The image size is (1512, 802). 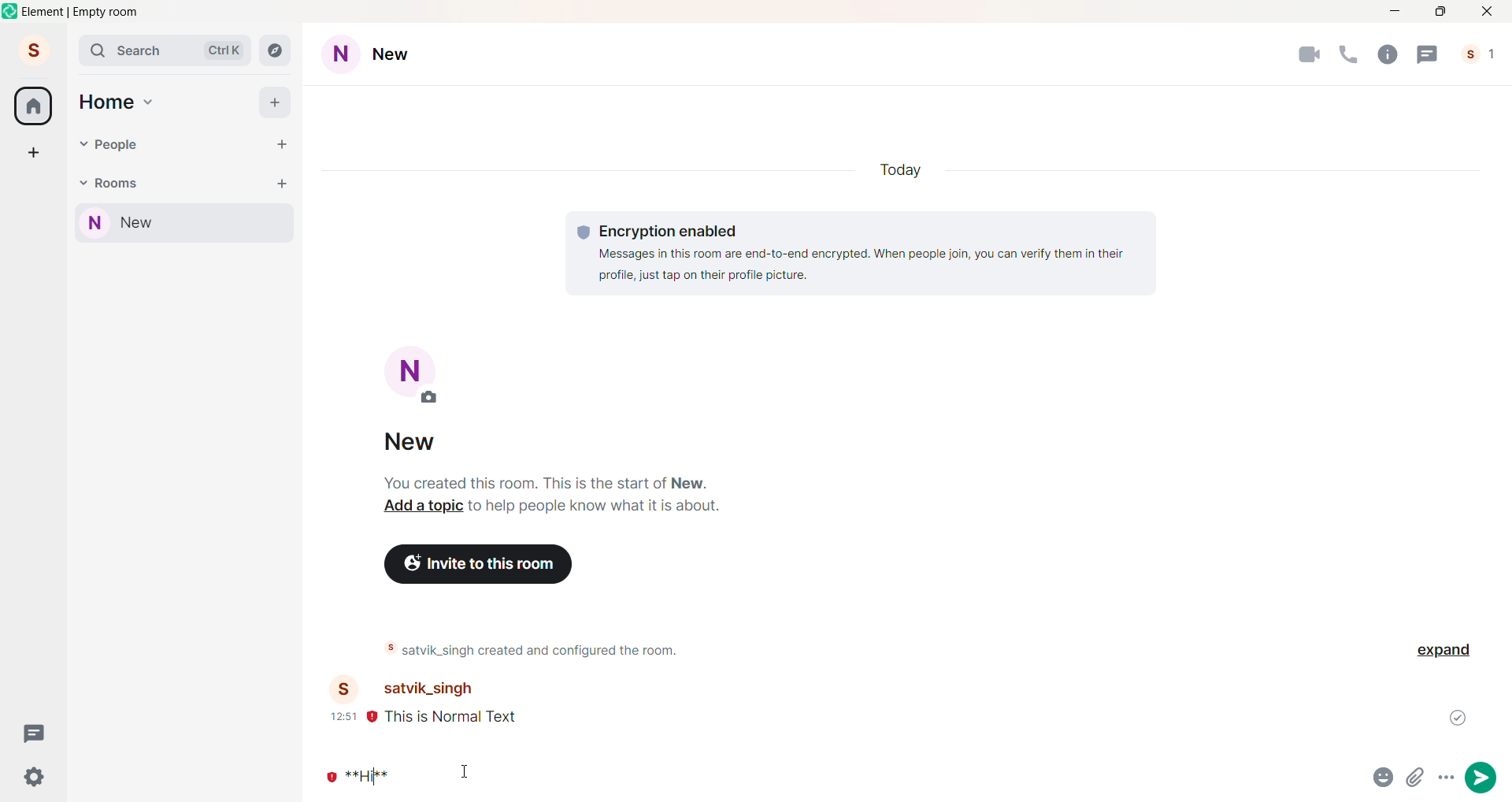 What do you see at coordinates (283, 182) in the screenshot?
I see `Add Room` at bounding box center [283, 182].